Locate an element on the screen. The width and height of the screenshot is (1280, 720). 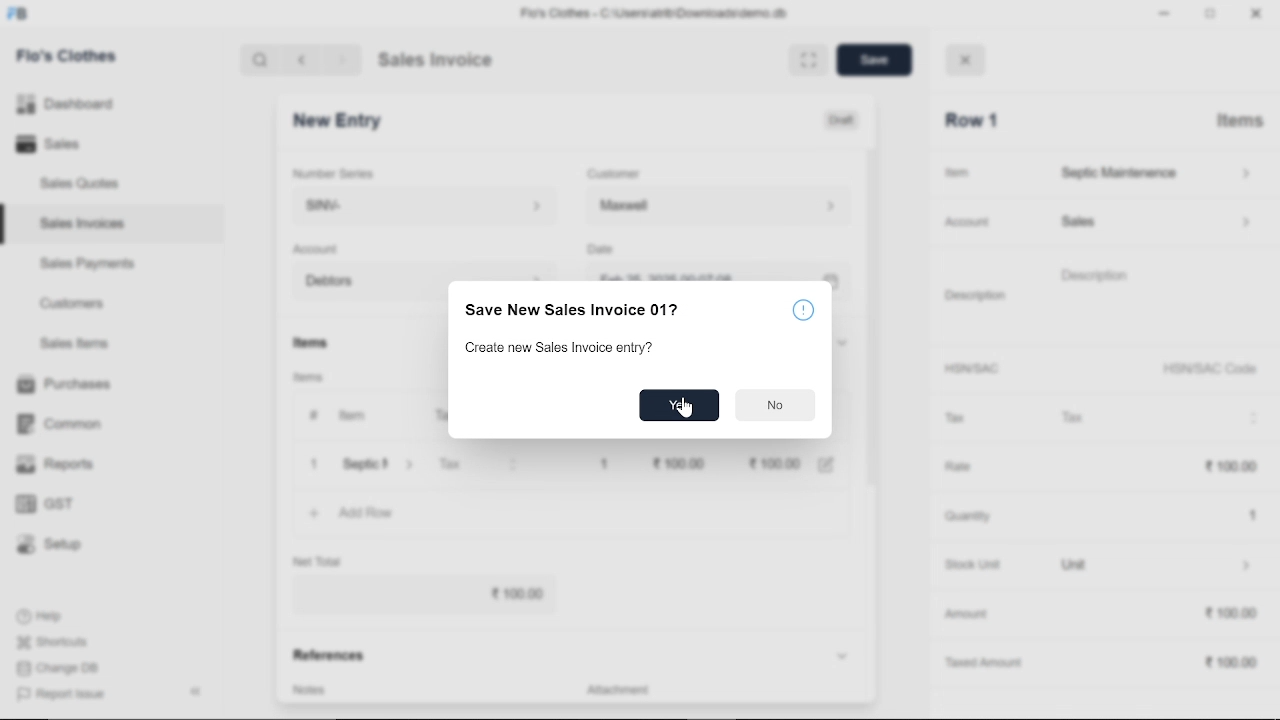
cursor is located at coordinates (687, 410).